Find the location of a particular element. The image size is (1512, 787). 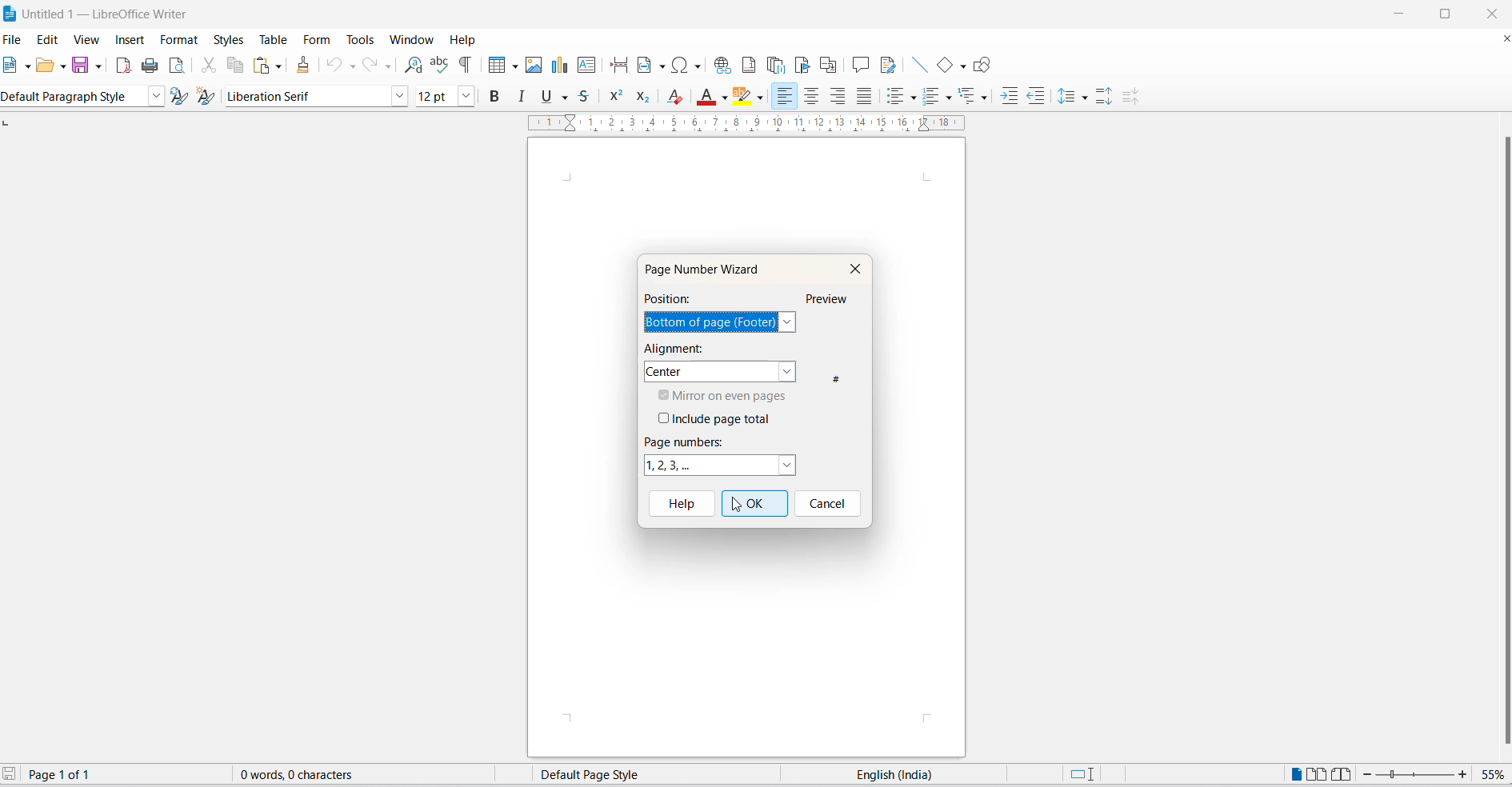

show track changes functions is located at coordinates (892, 65).